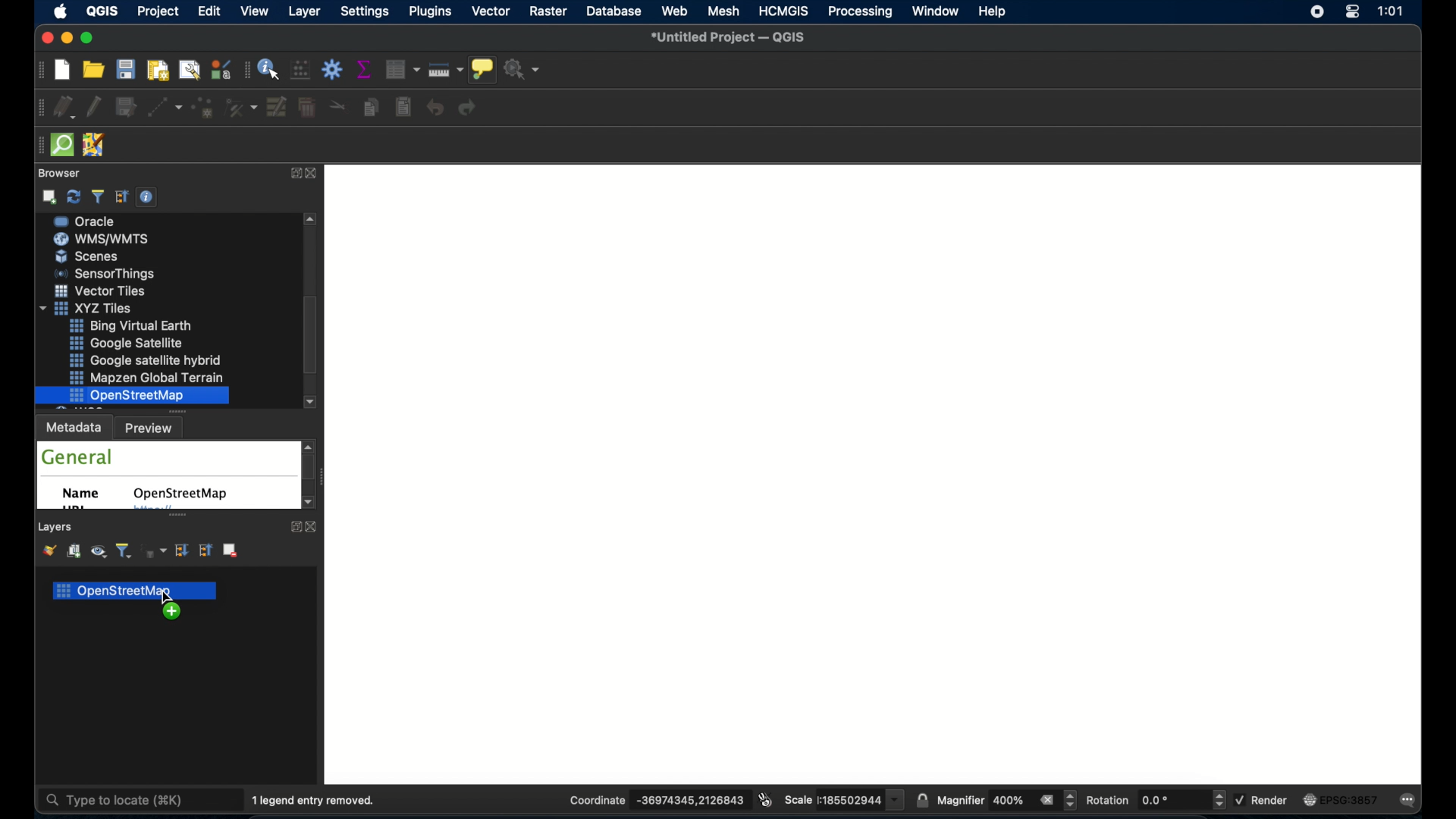 This screenshot has width=1456, height=819. Describe the element at coordinates (97, 552) in the screenshot. I see `show map themes` at that location.